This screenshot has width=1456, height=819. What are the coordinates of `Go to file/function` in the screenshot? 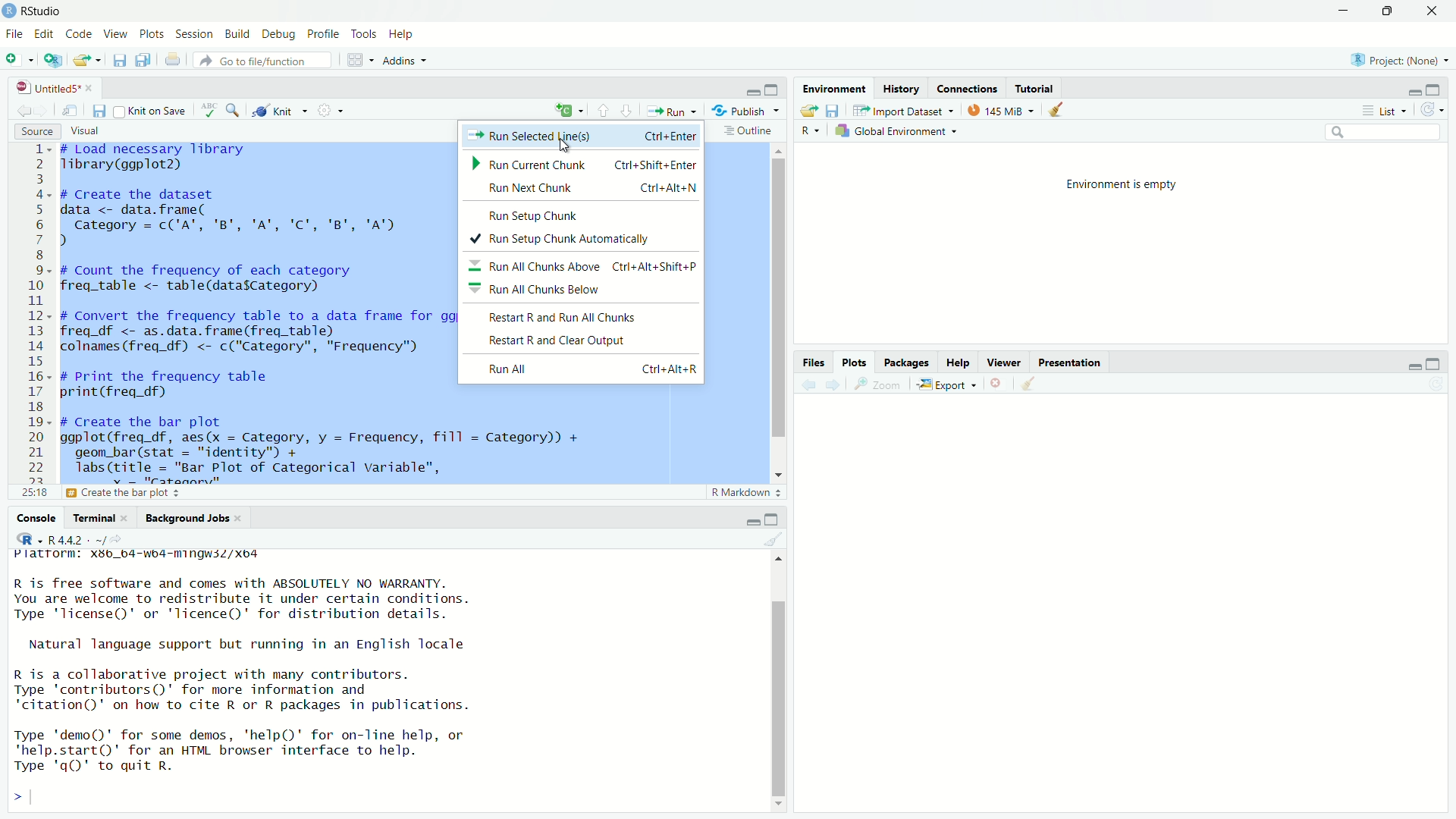 It's located at (266, 60).